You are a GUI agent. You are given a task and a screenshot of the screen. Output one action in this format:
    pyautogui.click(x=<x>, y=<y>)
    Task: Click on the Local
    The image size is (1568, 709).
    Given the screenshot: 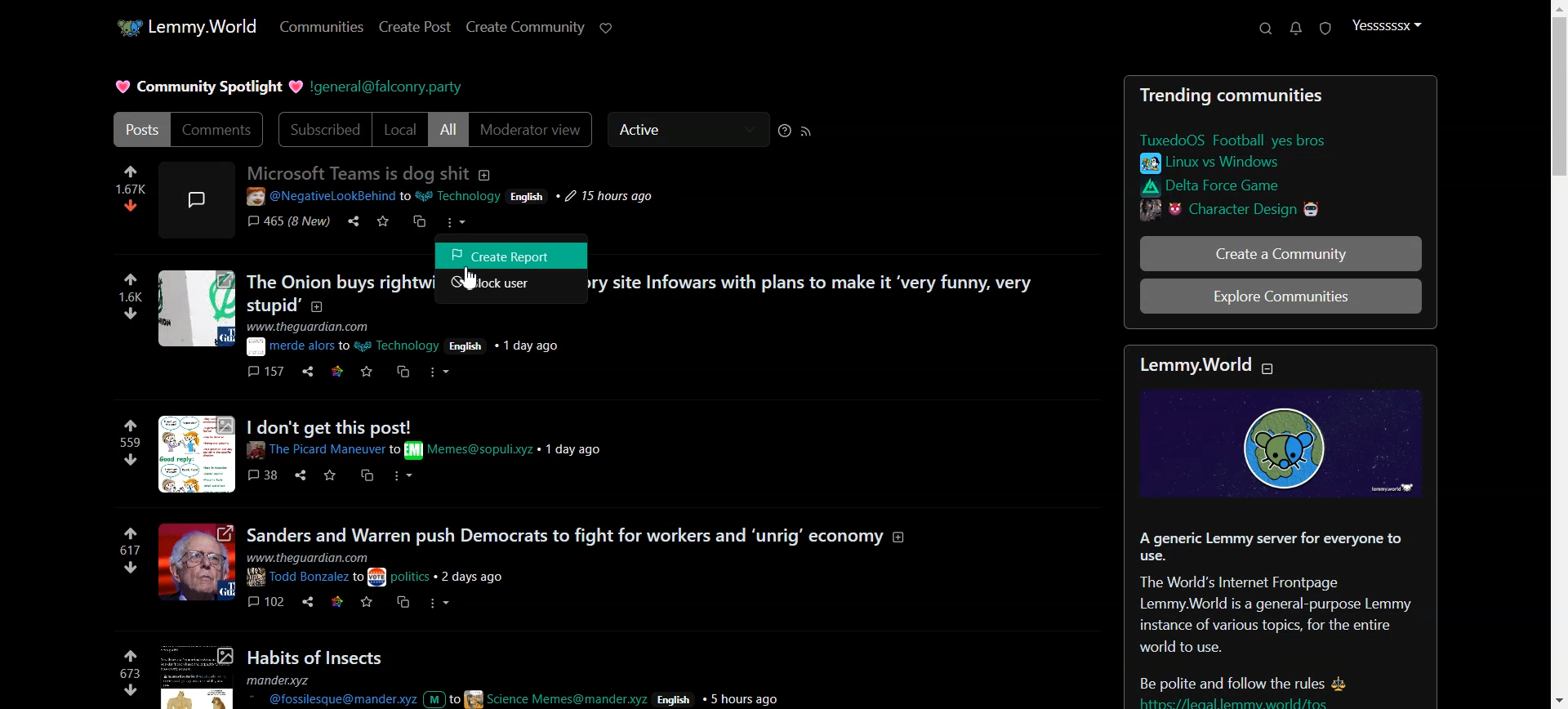 What is the action you would take?
    pyautogui.click(x=400, y=130)
    